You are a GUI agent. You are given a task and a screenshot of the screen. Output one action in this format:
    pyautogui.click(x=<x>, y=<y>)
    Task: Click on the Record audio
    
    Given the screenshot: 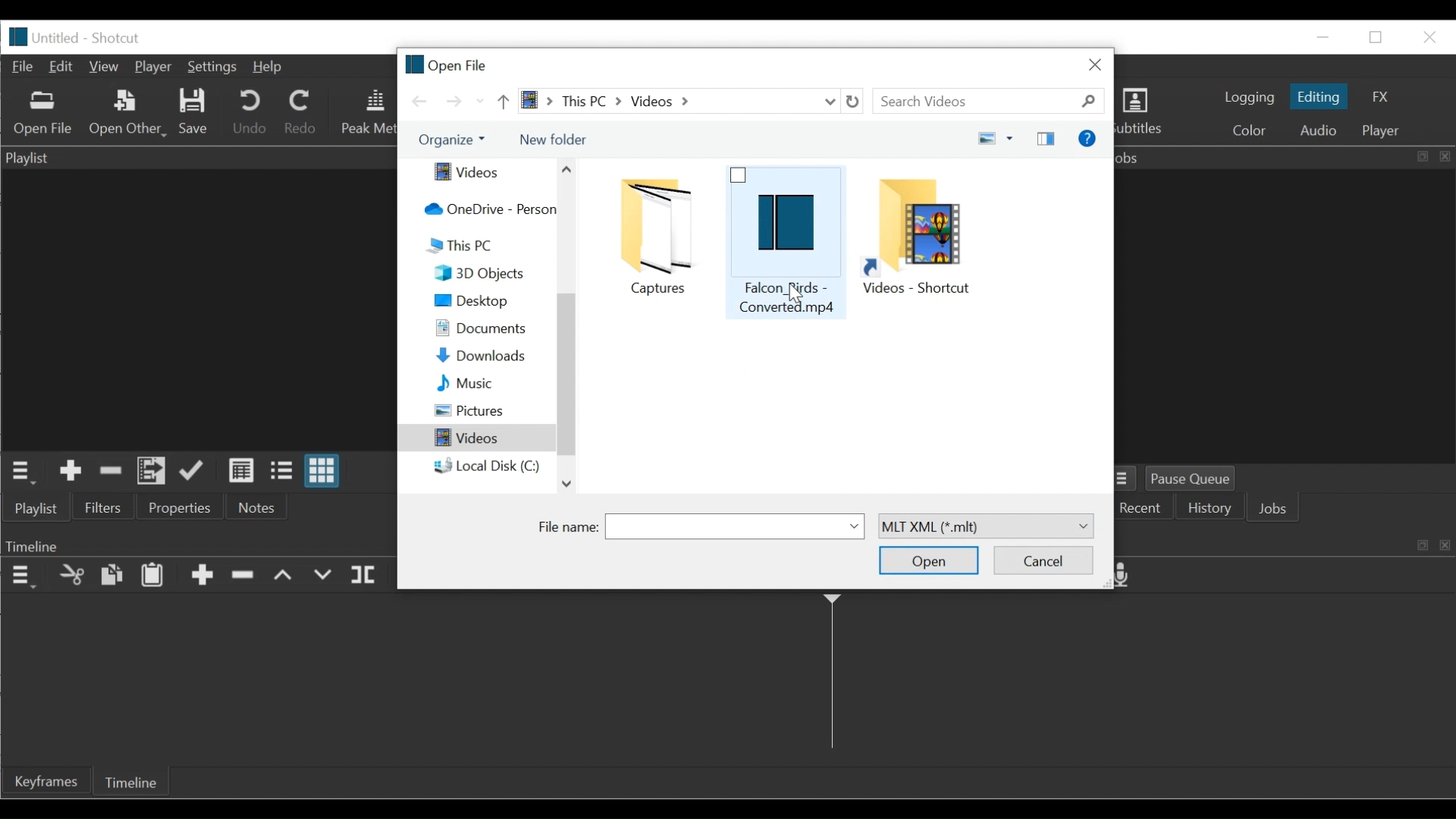 What is the action you would take?
    pyautogui.click(x=1129, y=576)
    